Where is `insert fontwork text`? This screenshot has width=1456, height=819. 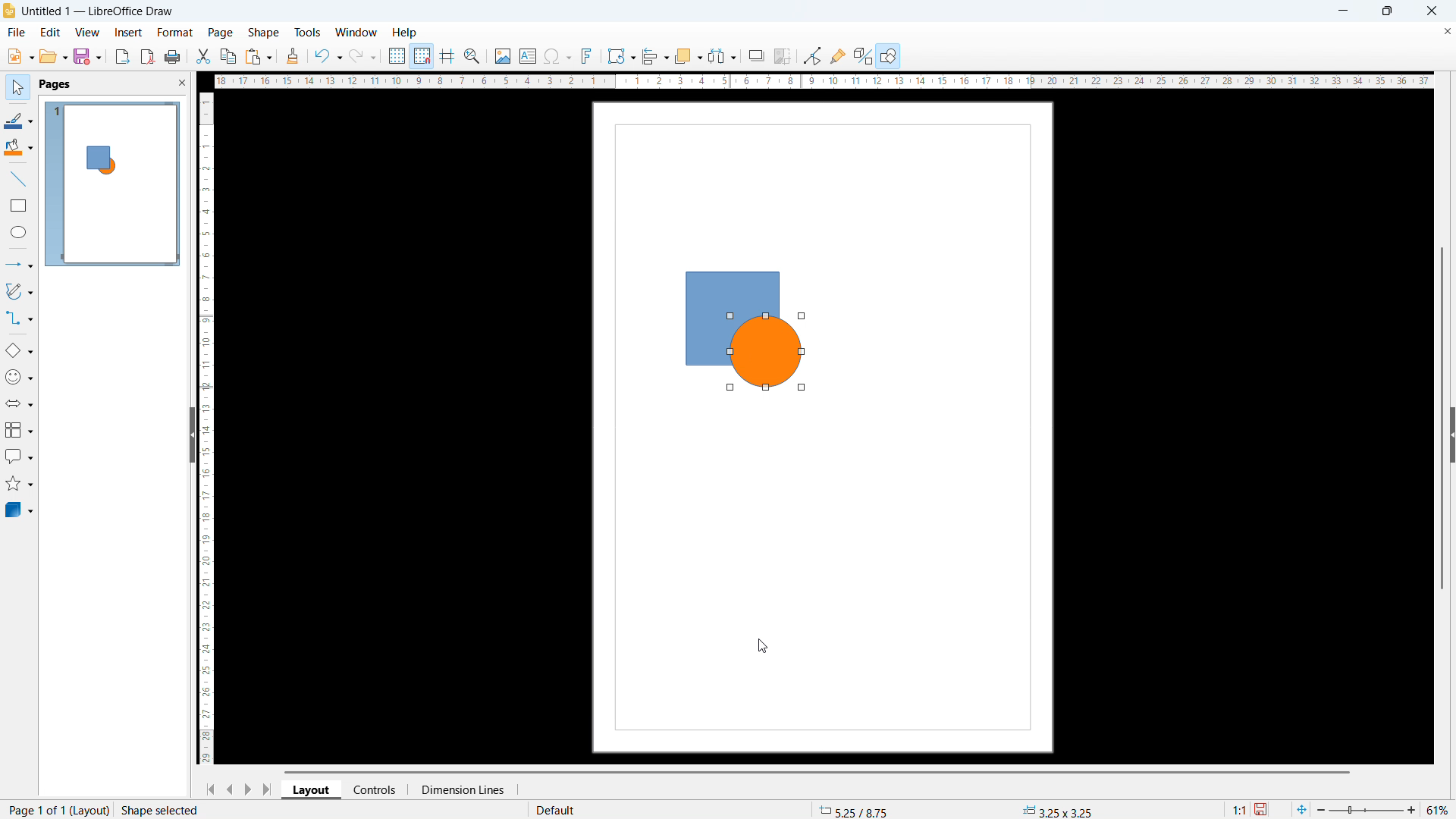 insert fontwork text is located at coordinates (587, 55).